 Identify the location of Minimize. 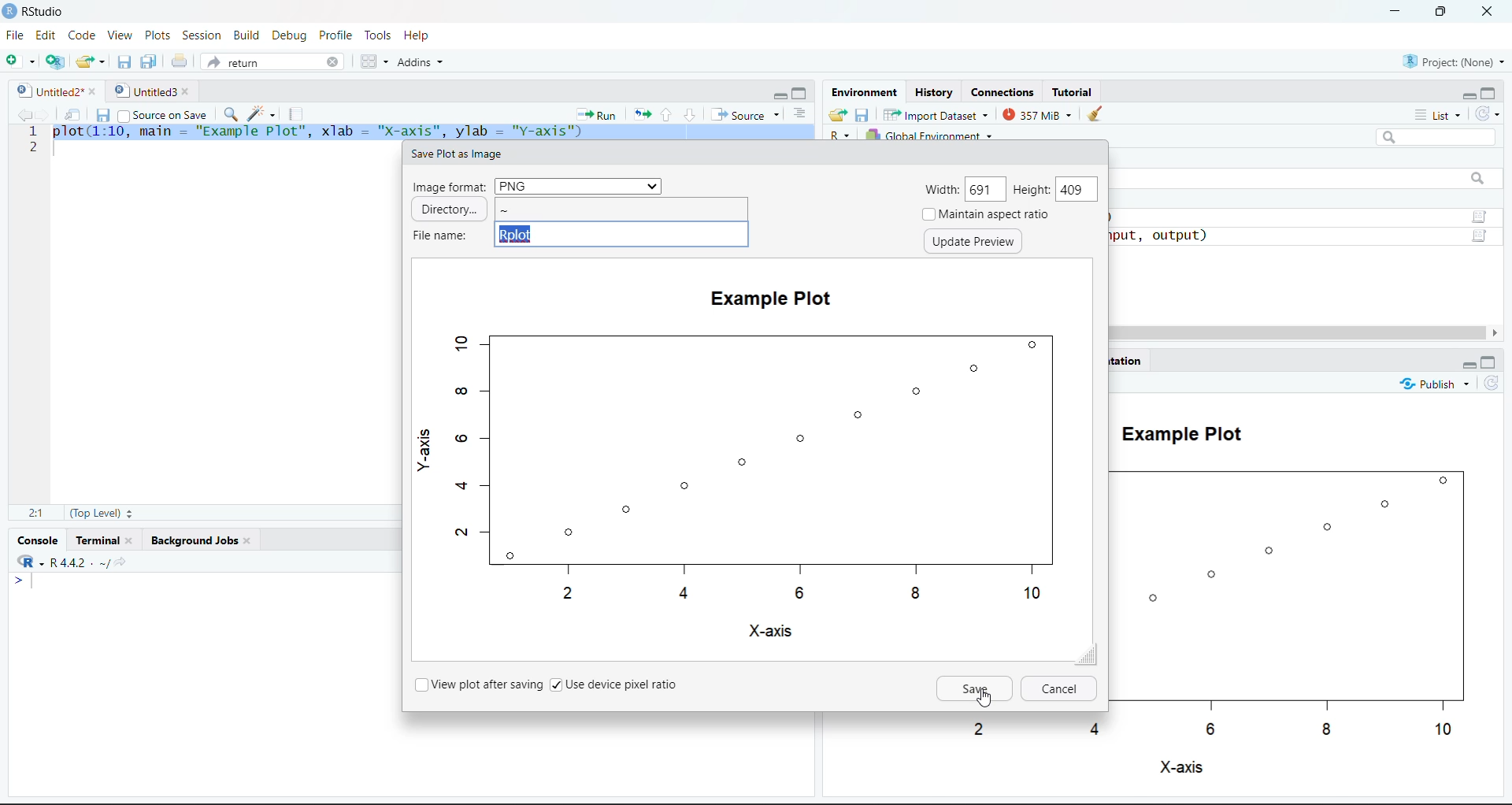
(780, 95).